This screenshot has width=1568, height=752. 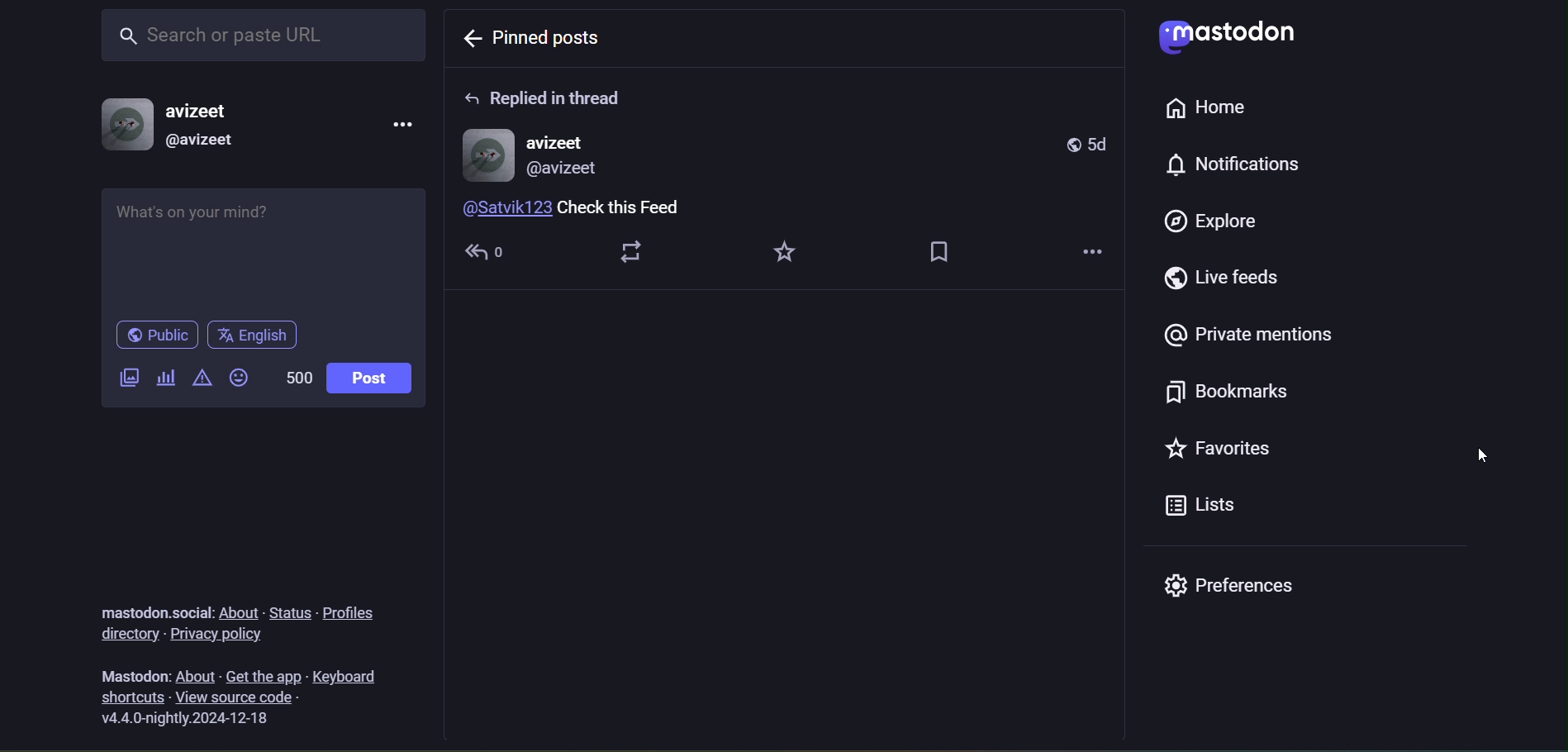 I want to click on more, so click(x=1099, y=250).